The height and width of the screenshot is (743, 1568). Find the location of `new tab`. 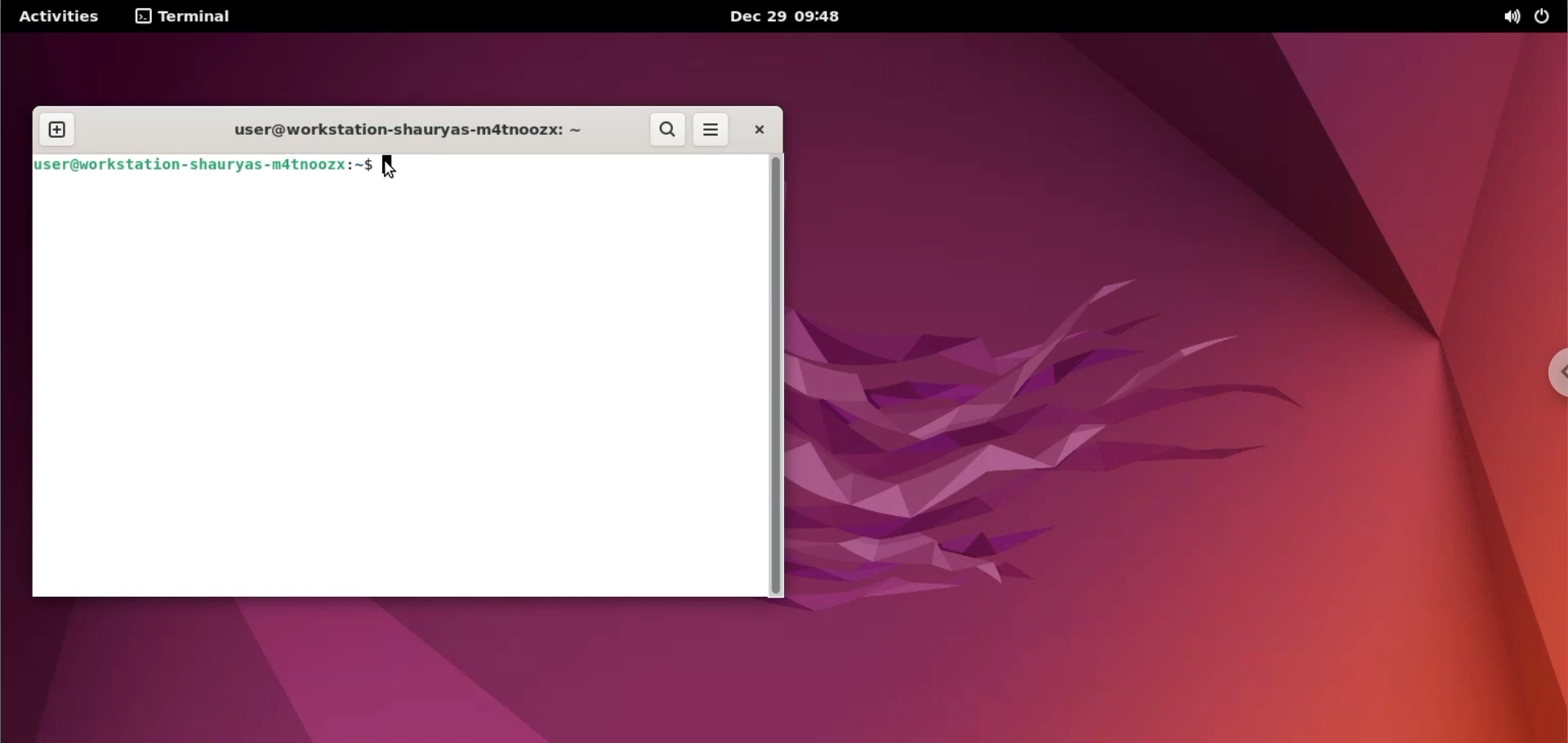

new tab is located at coordinates (56, 130).